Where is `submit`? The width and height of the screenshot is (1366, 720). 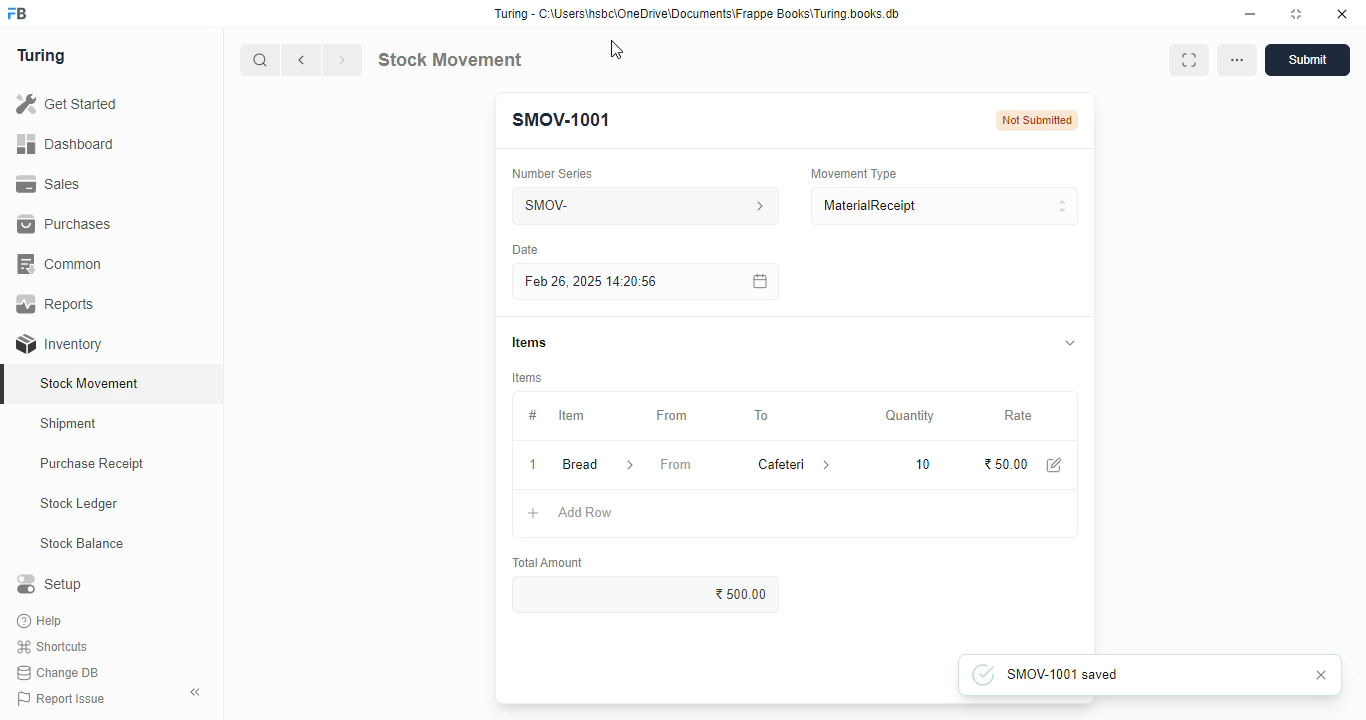
submit is located at coordinates (1307, 60).